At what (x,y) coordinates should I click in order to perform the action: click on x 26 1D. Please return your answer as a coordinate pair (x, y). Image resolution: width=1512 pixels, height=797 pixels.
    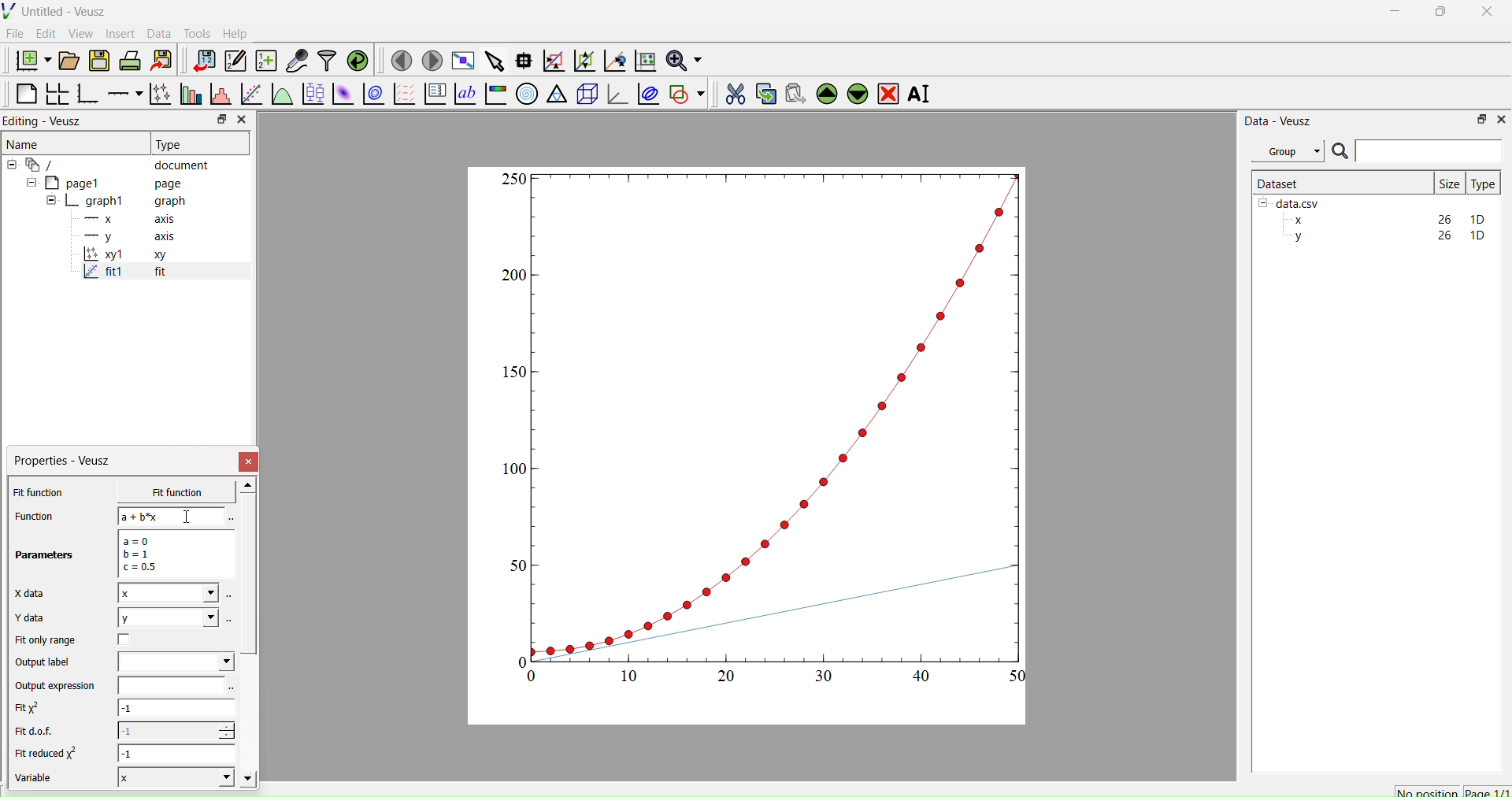
    Looking at the image, I should click on (1385, 220).